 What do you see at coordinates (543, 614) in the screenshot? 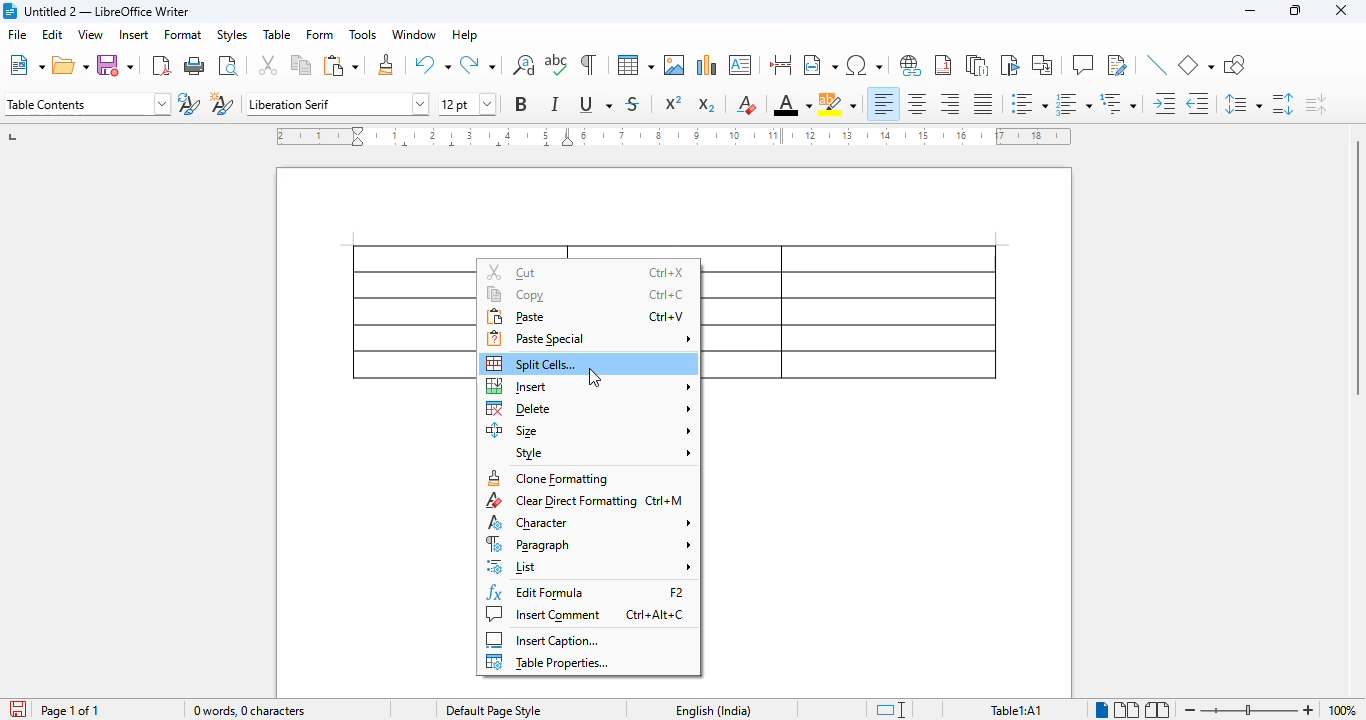
I see `insert comment` at bounding box center [543, 614].